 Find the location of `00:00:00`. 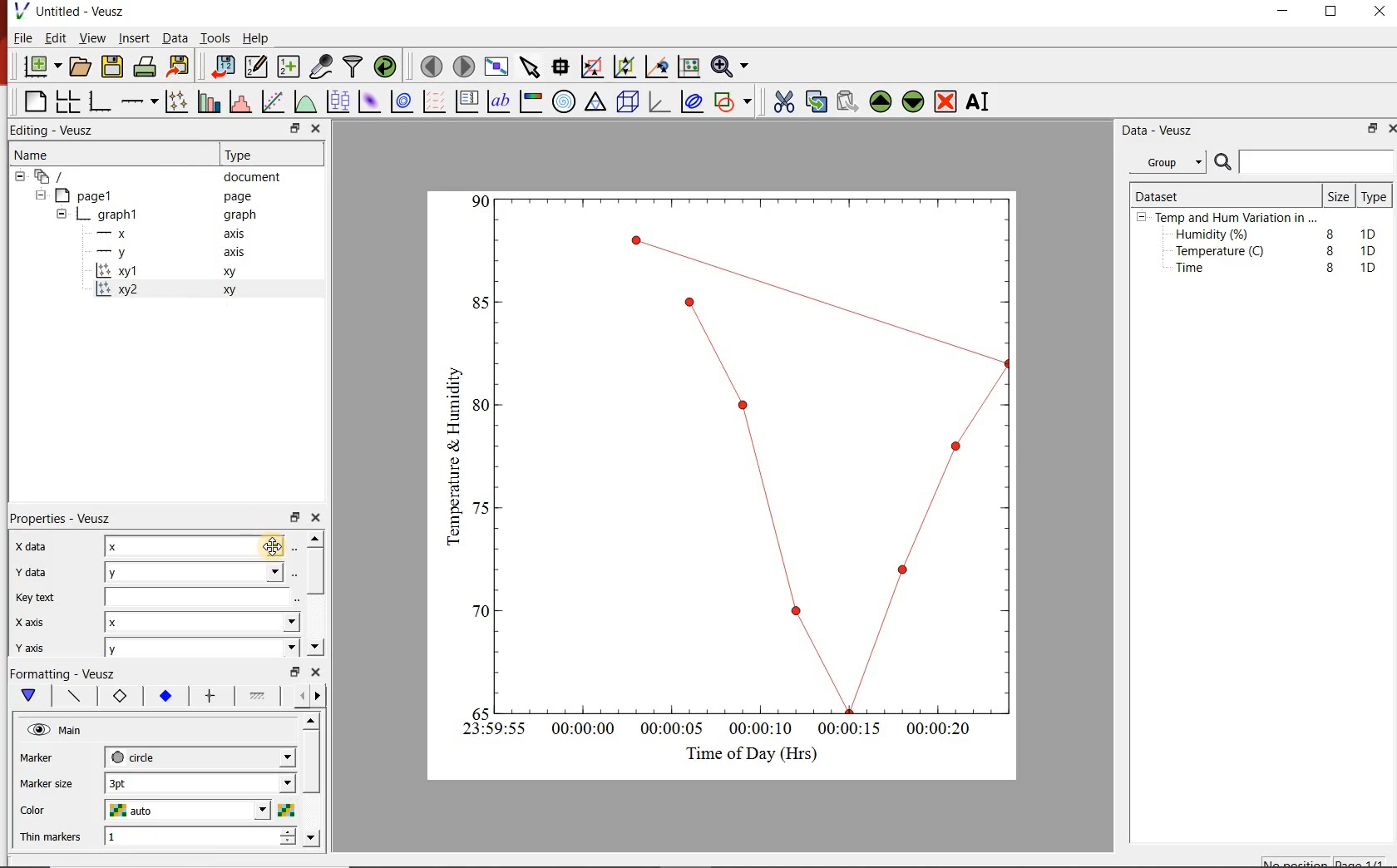

00:00:00 is located at coordinates (580, 731).